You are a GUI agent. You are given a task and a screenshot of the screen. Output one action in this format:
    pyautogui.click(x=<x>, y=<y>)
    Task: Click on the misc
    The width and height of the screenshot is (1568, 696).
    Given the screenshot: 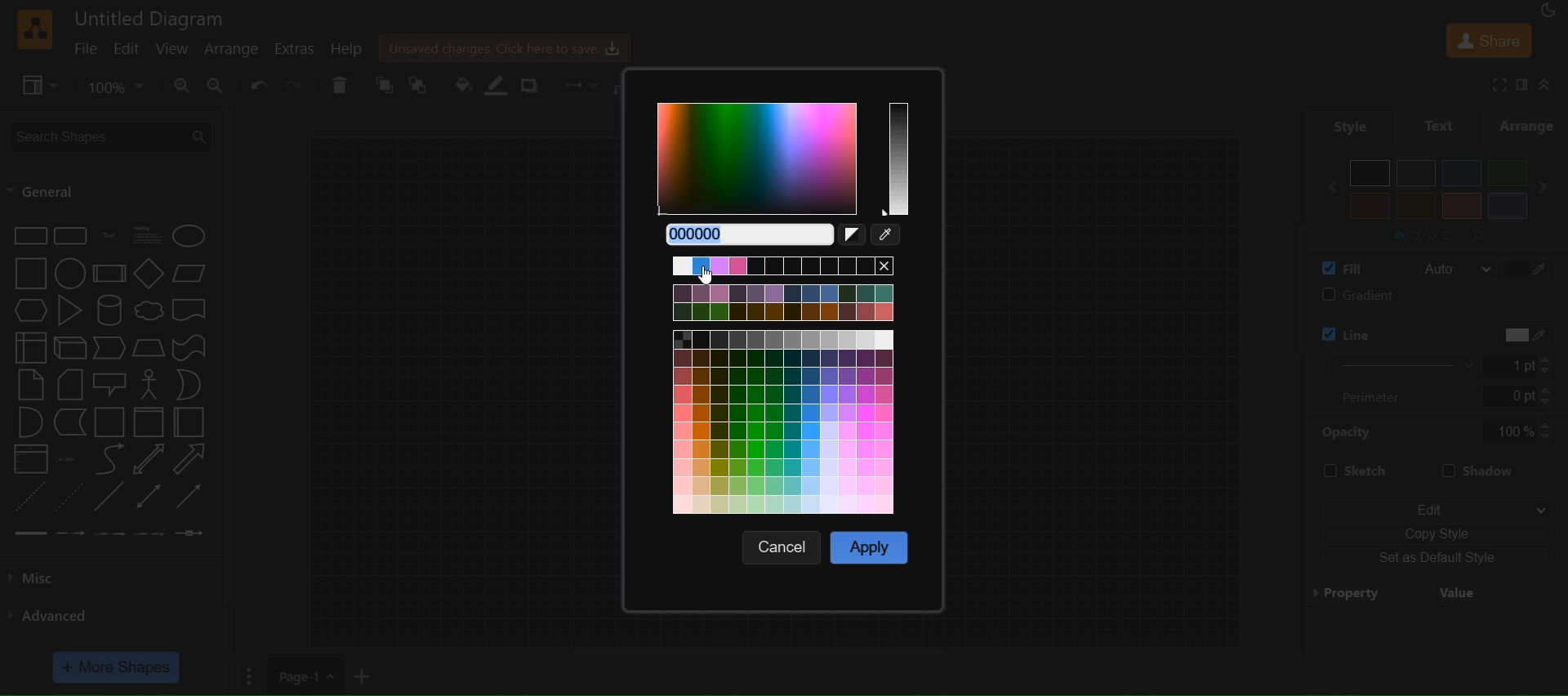 What is the action you would take?
    pyautogui.click(x=51, y=575)
    